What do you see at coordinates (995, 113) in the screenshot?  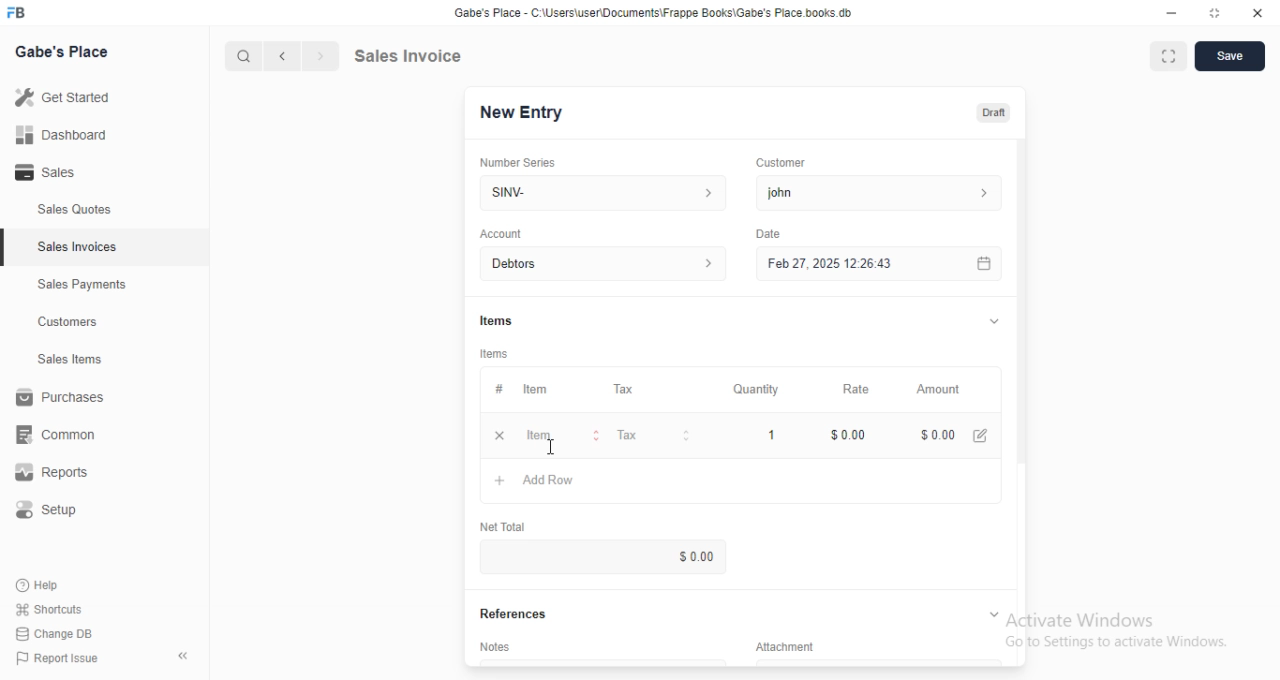 I see `Draft` at bounding box center [995, 113].